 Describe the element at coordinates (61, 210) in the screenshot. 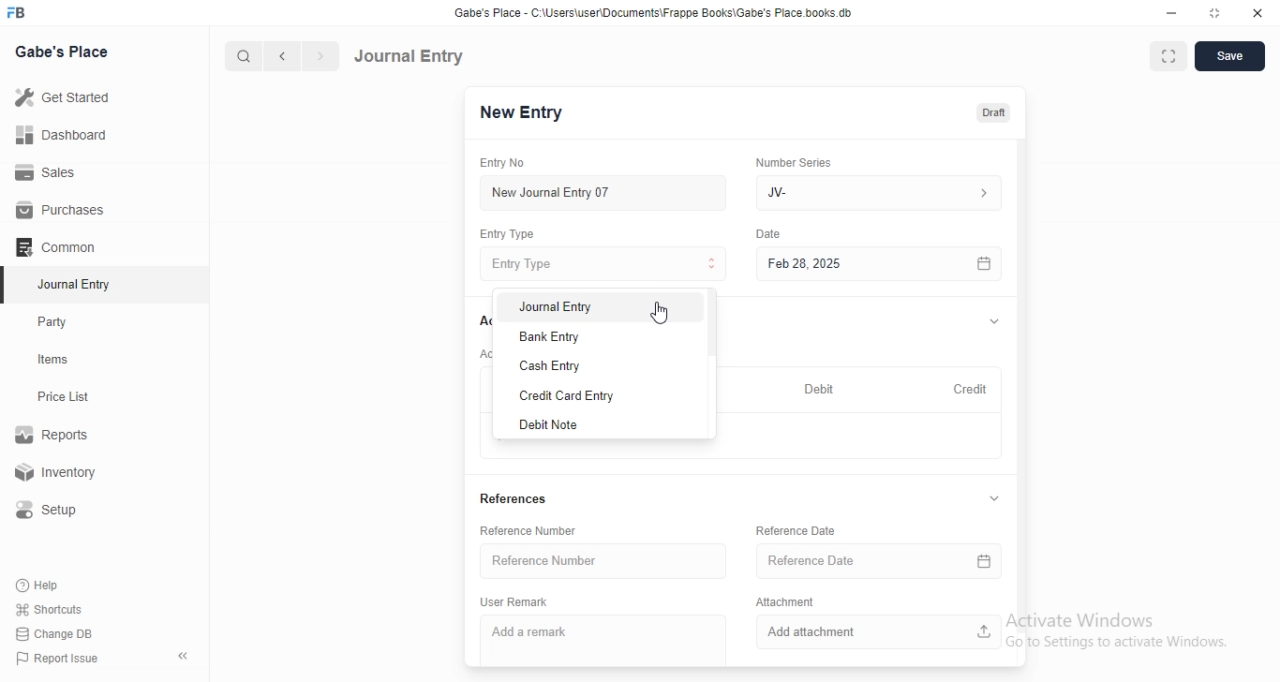

I see `Purchases` at that location.